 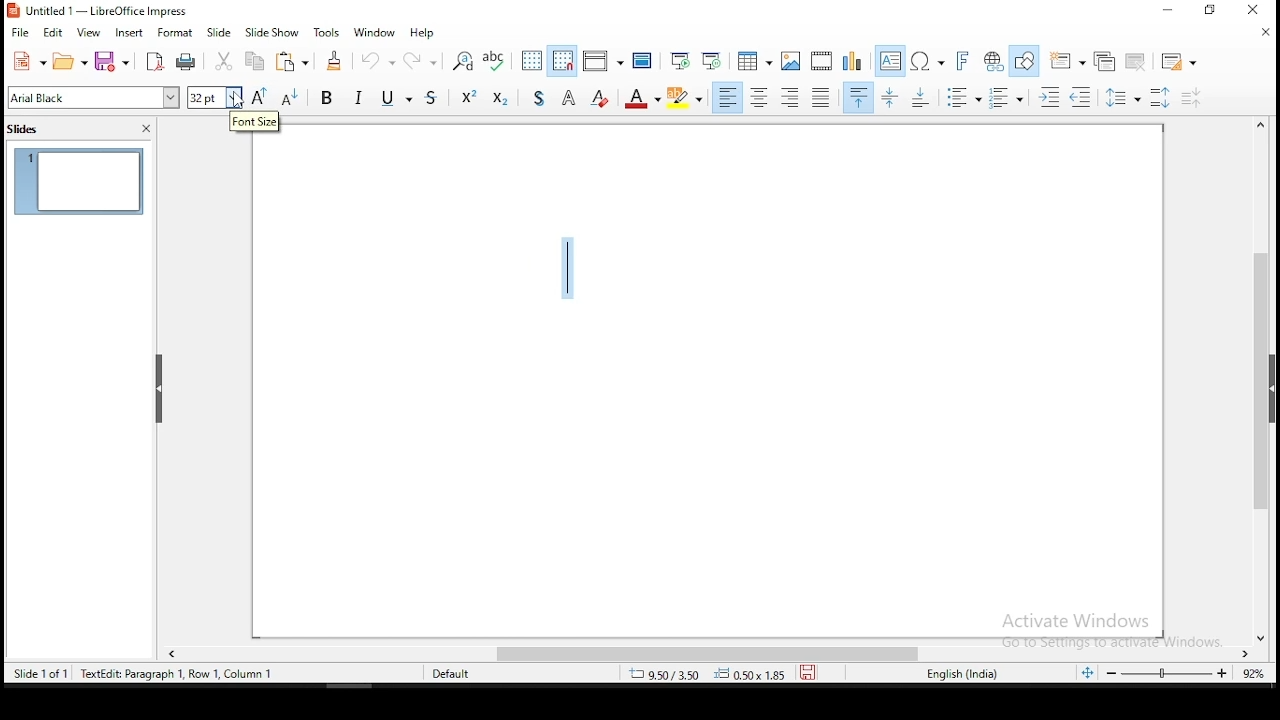 What do you see at coordinates (707, 673) in the screenshot?
I see `Dimensions` at bounding box center [707, 673].